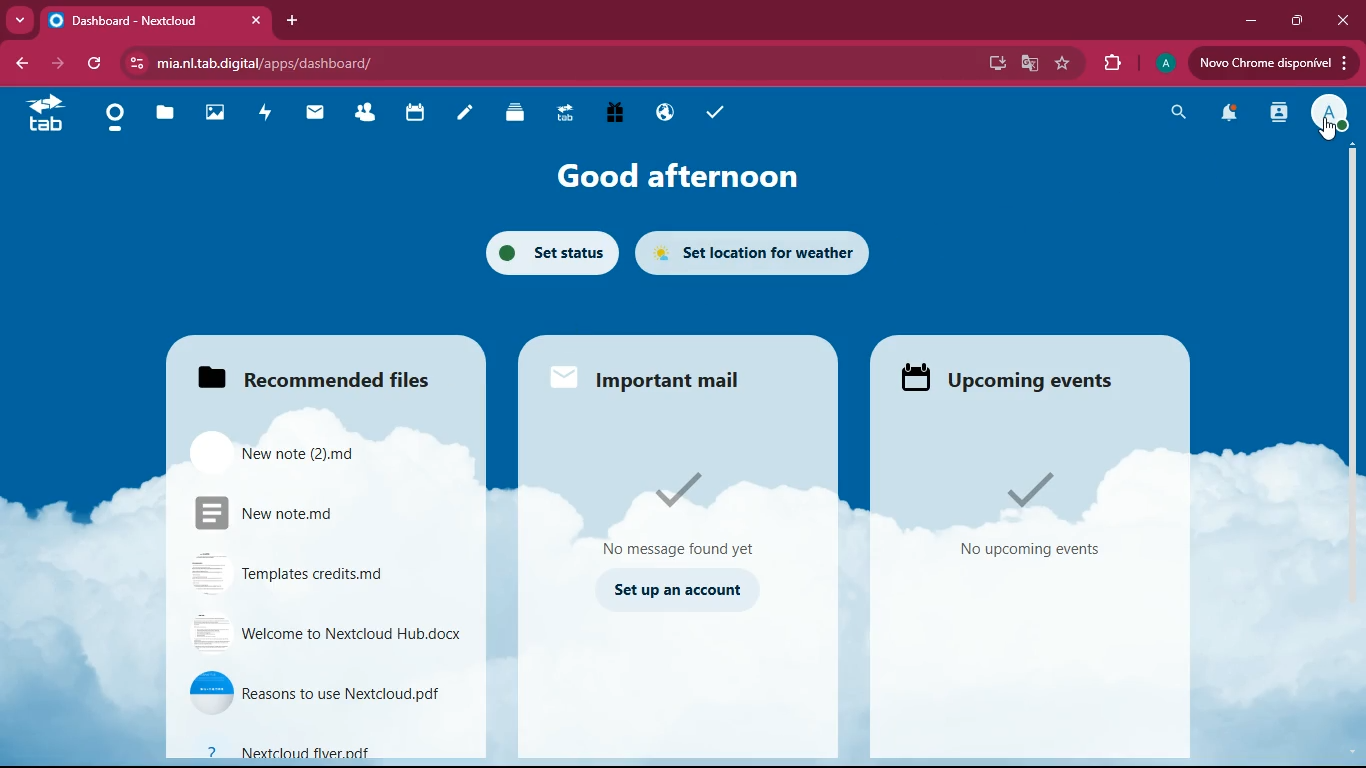 The height and width of the screenshot is (768, 1366). What do you see at coordinates (1295, 21) in the screenshot?
I see `maximize` at bounding box center [1295, 21].